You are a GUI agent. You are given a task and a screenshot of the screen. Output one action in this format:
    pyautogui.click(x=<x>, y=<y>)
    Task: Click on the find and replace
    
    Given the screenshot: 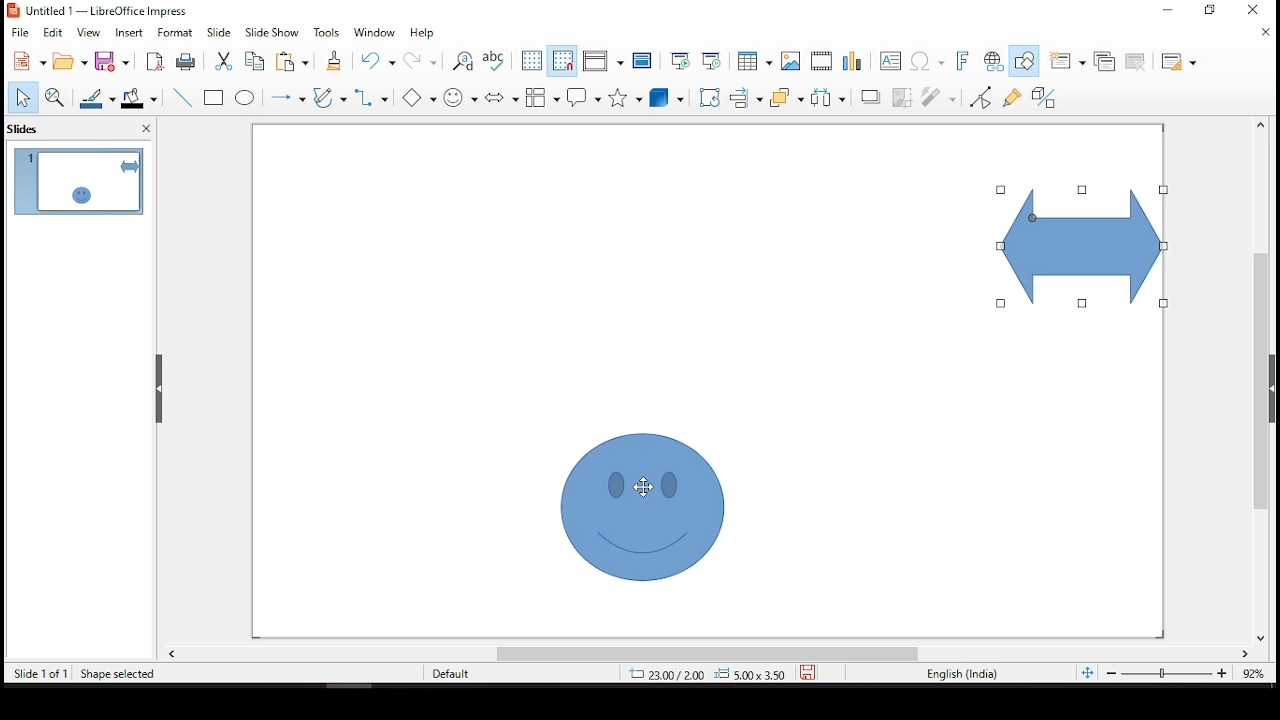 What is the action you would take?
    pyautogui.click(x=464, y=61)
    